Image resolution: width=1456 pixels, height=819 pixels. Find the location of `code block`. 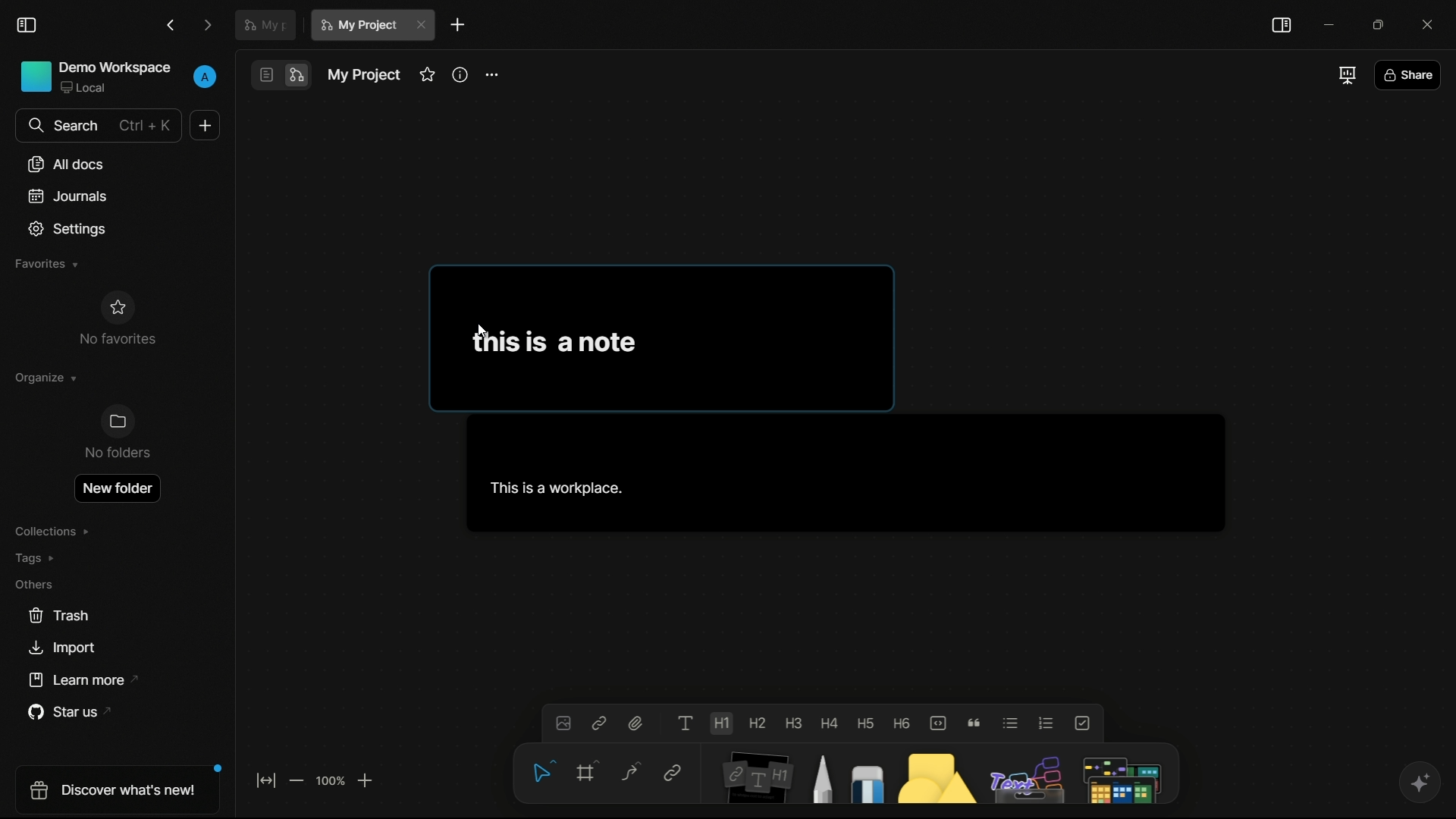

code block is located at coordinates (938, 720).